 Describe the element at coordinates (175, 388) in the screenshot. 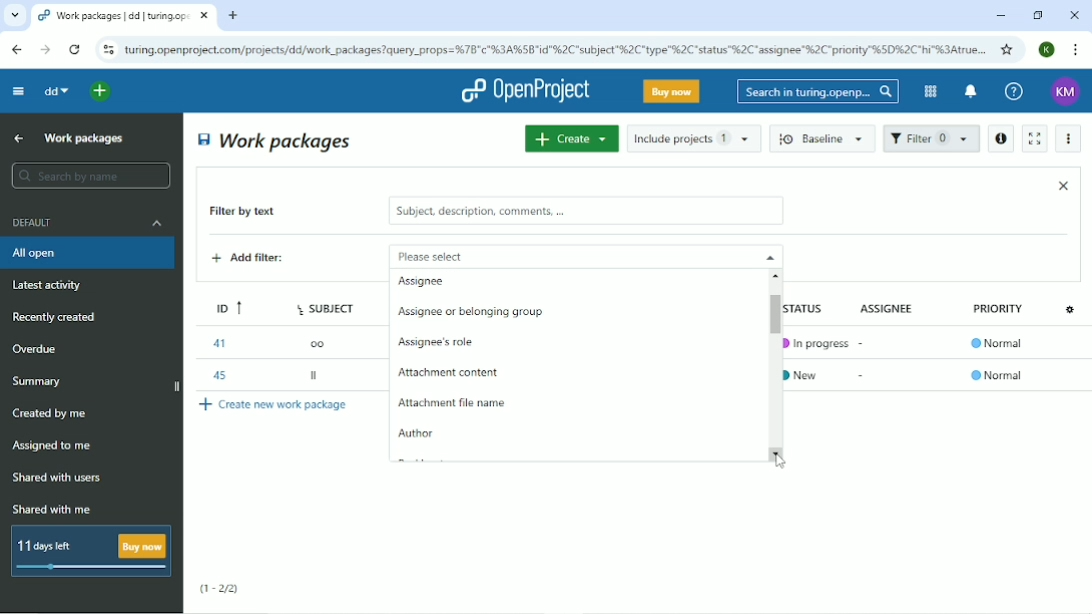

I see `close side bar` at that location.